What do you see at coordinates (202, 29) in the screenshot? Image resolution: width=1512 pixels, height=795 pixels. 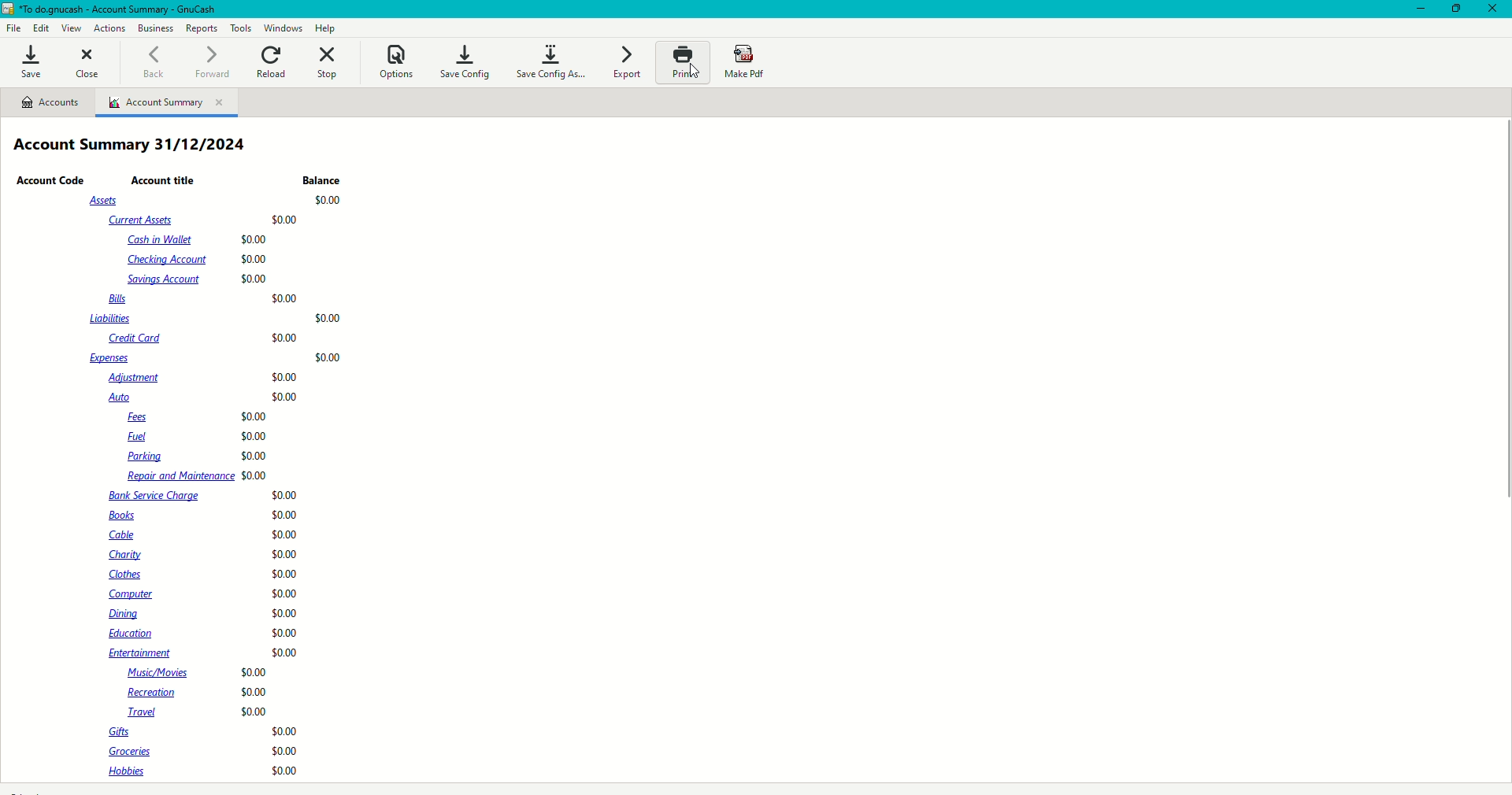 I see `Reports` at bounding box center [202, 29].